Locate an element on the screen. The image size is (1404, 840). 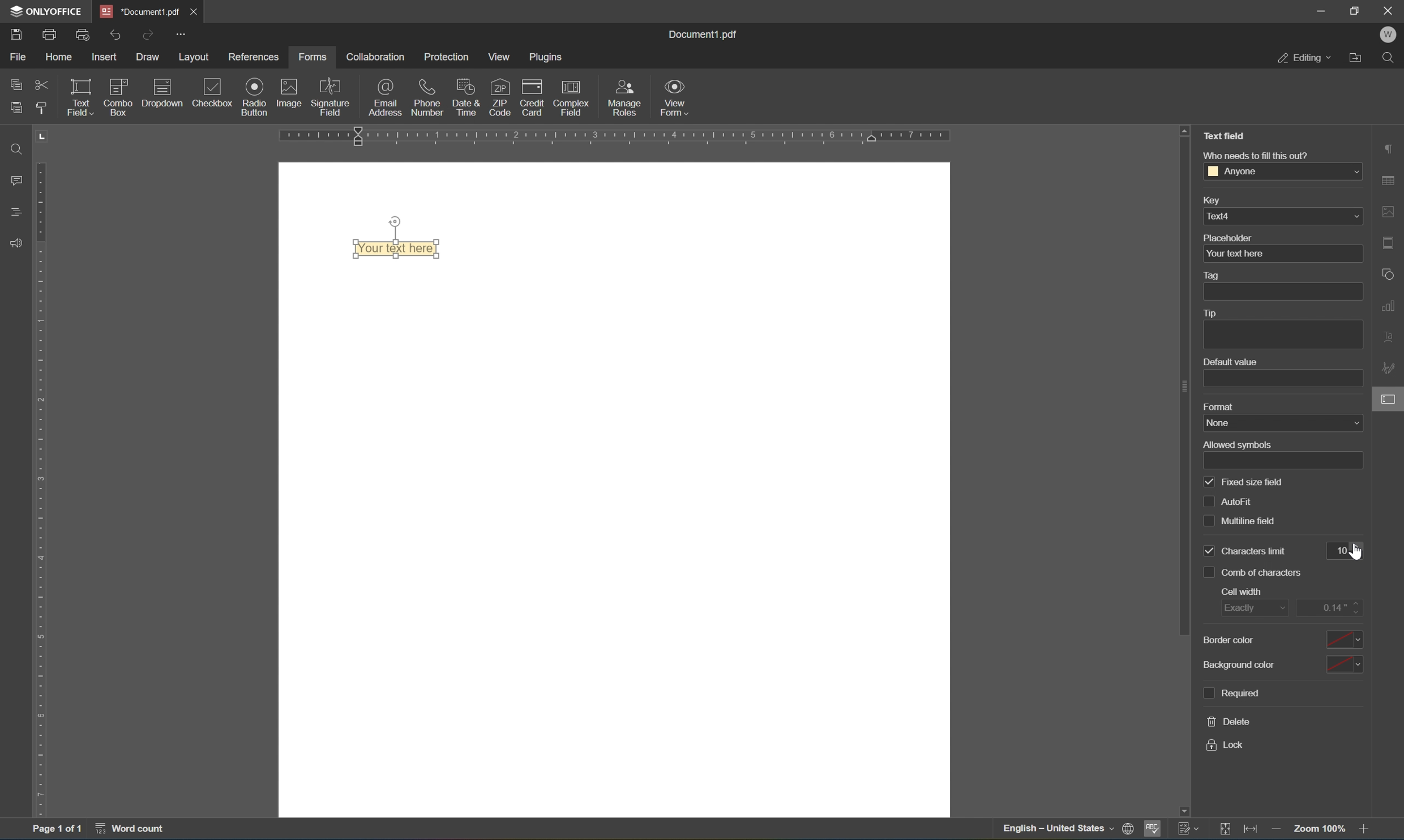
document1.pdf is located at coordinates (136, 10).